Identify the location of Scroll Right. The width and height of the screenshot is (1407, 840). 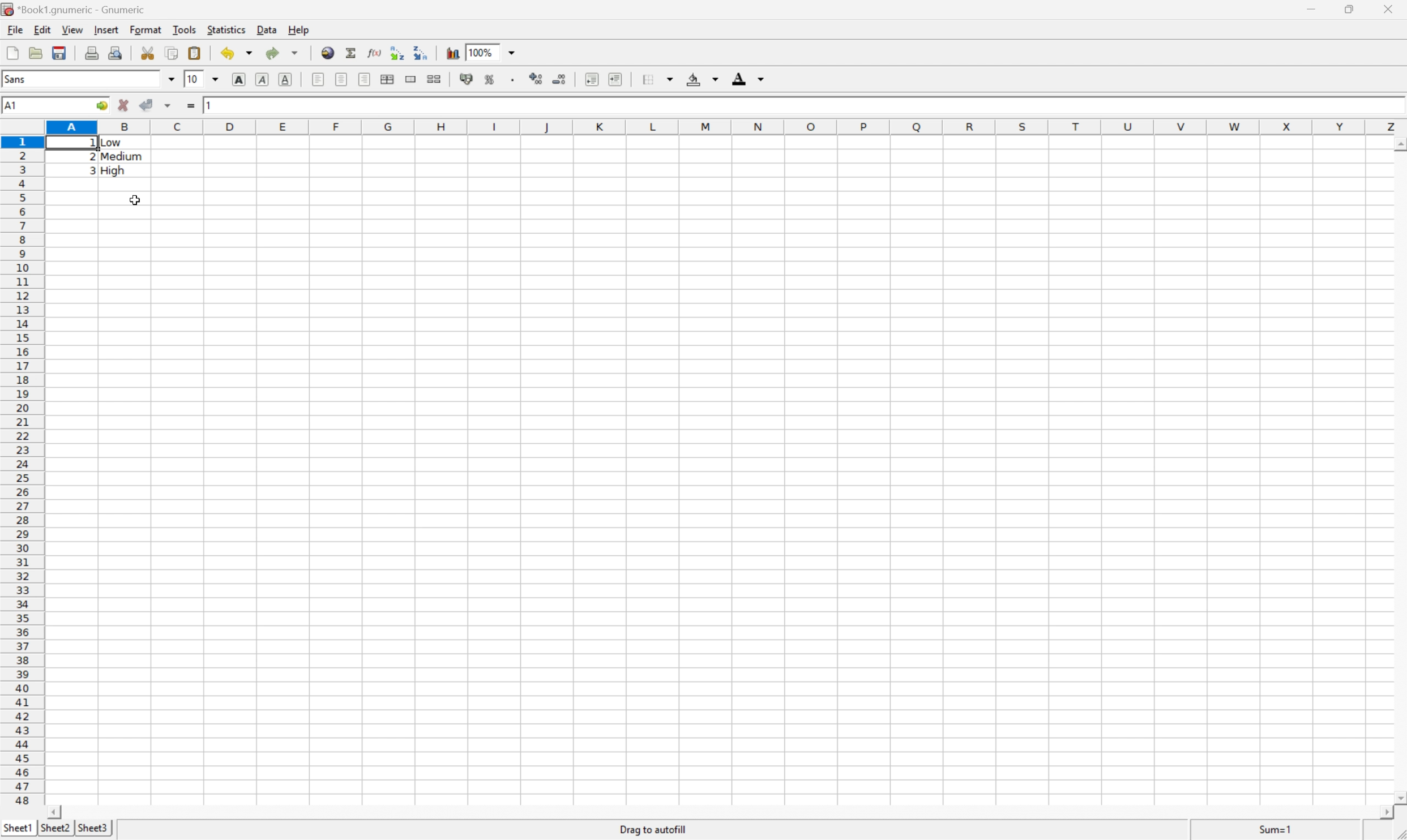
(1382, 811).